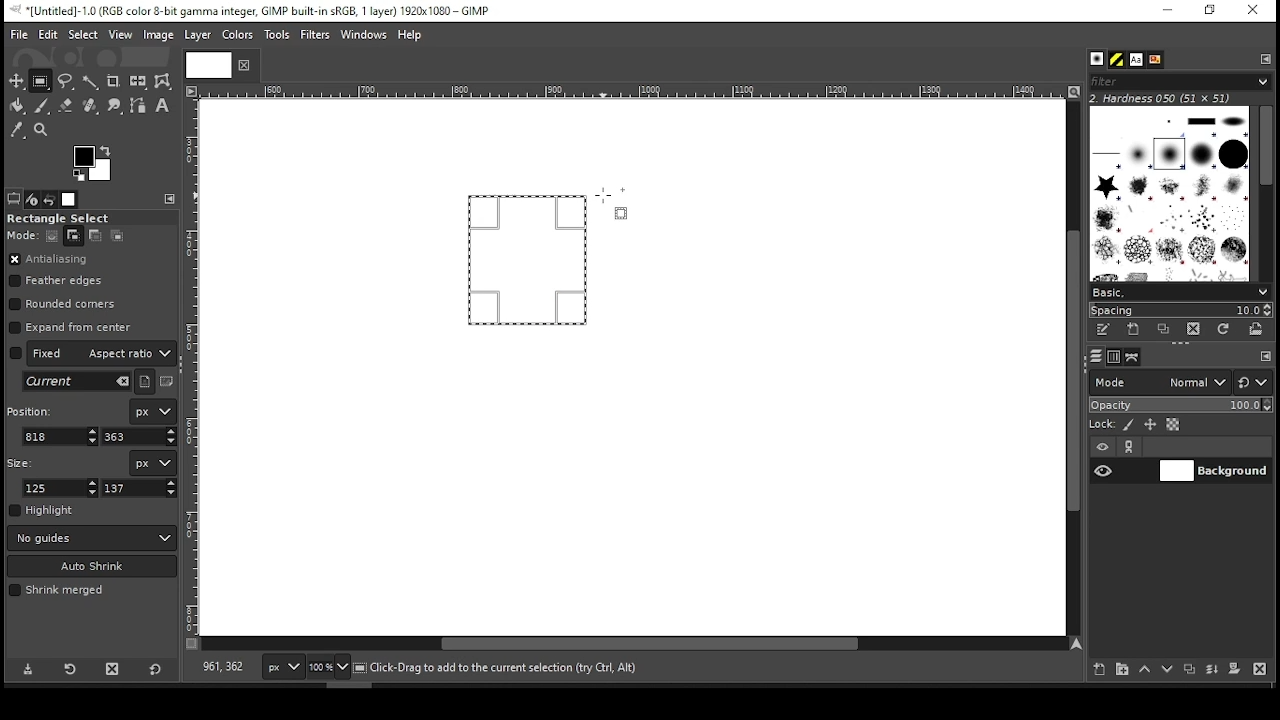  I want to click on px, so click(282, 669).